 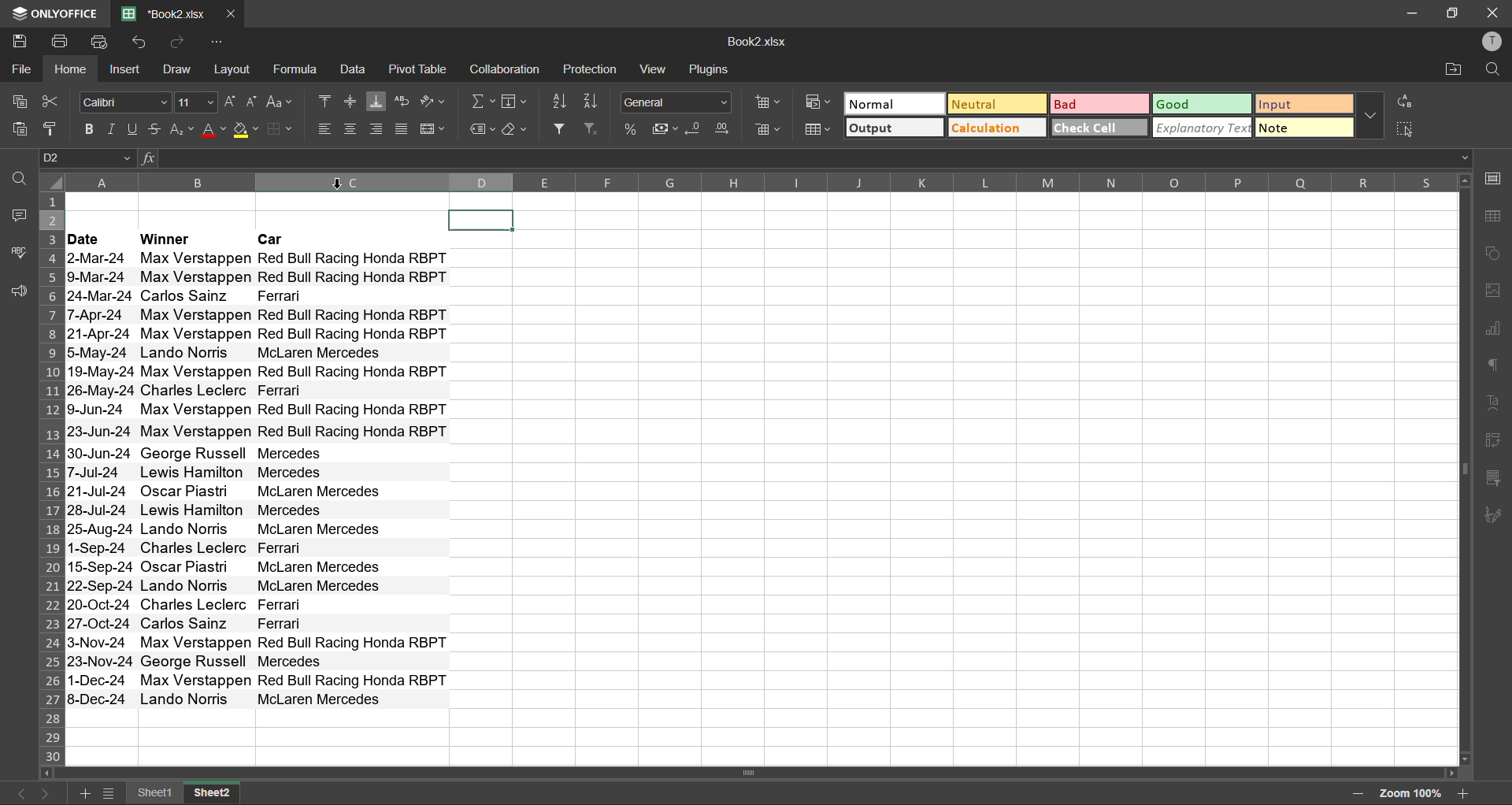 I want to click on orientation, so click(x=433, y=99).